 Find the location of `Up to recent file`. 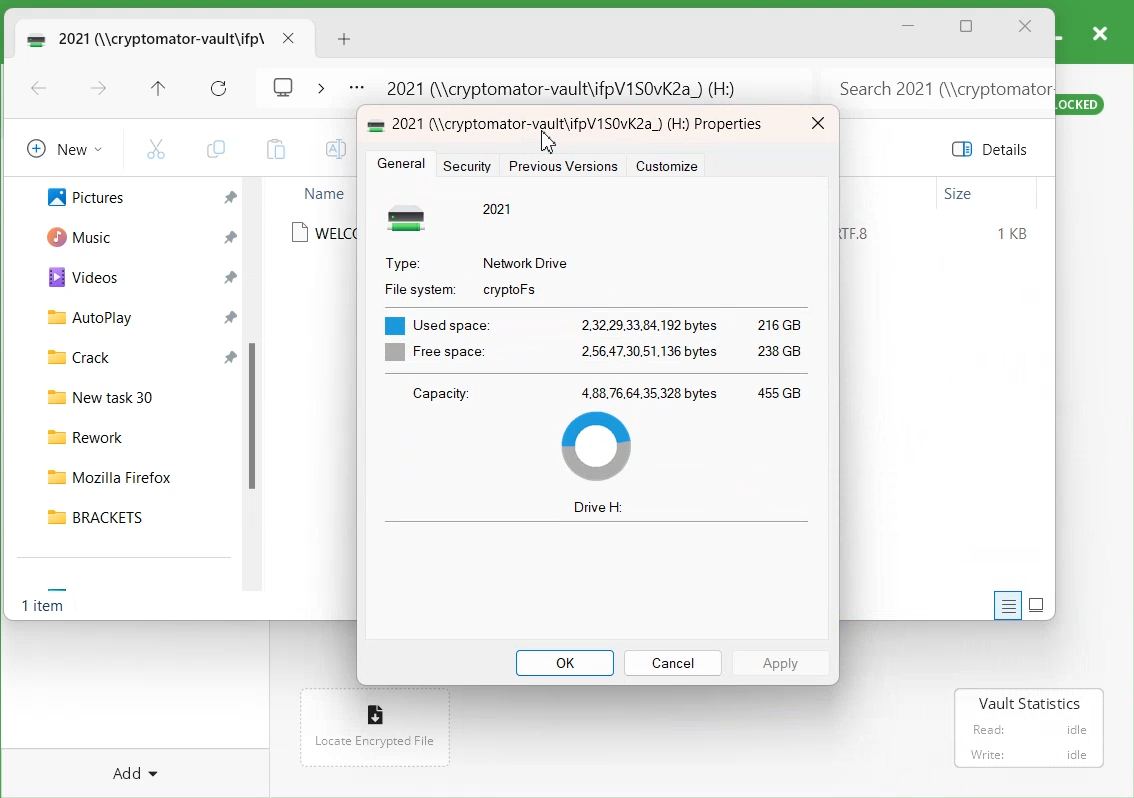

Up to recent file is located at coordinates (158, 90).